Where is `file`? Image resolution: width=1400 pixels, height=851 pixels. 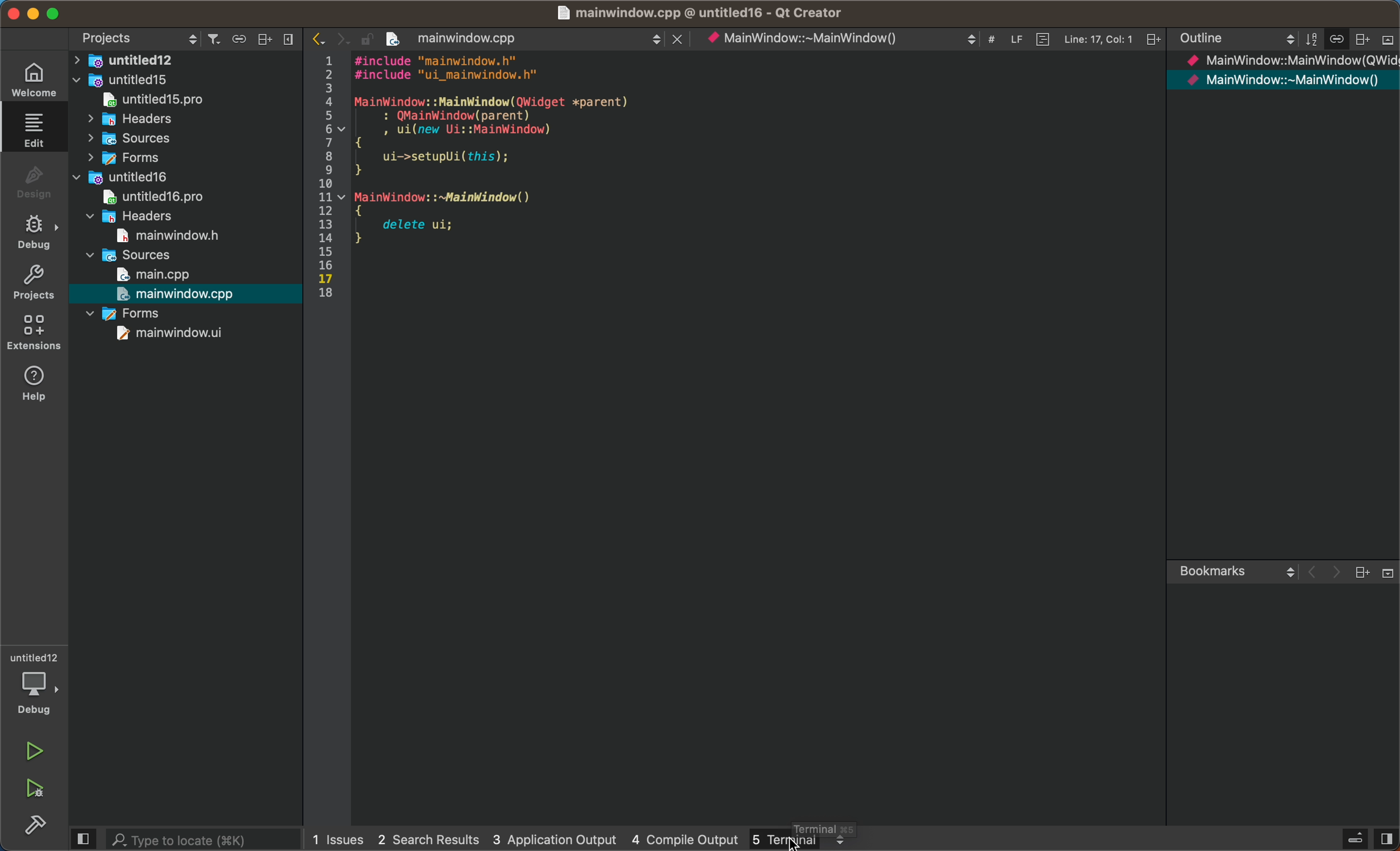
file is located at coordinates (171, 235).